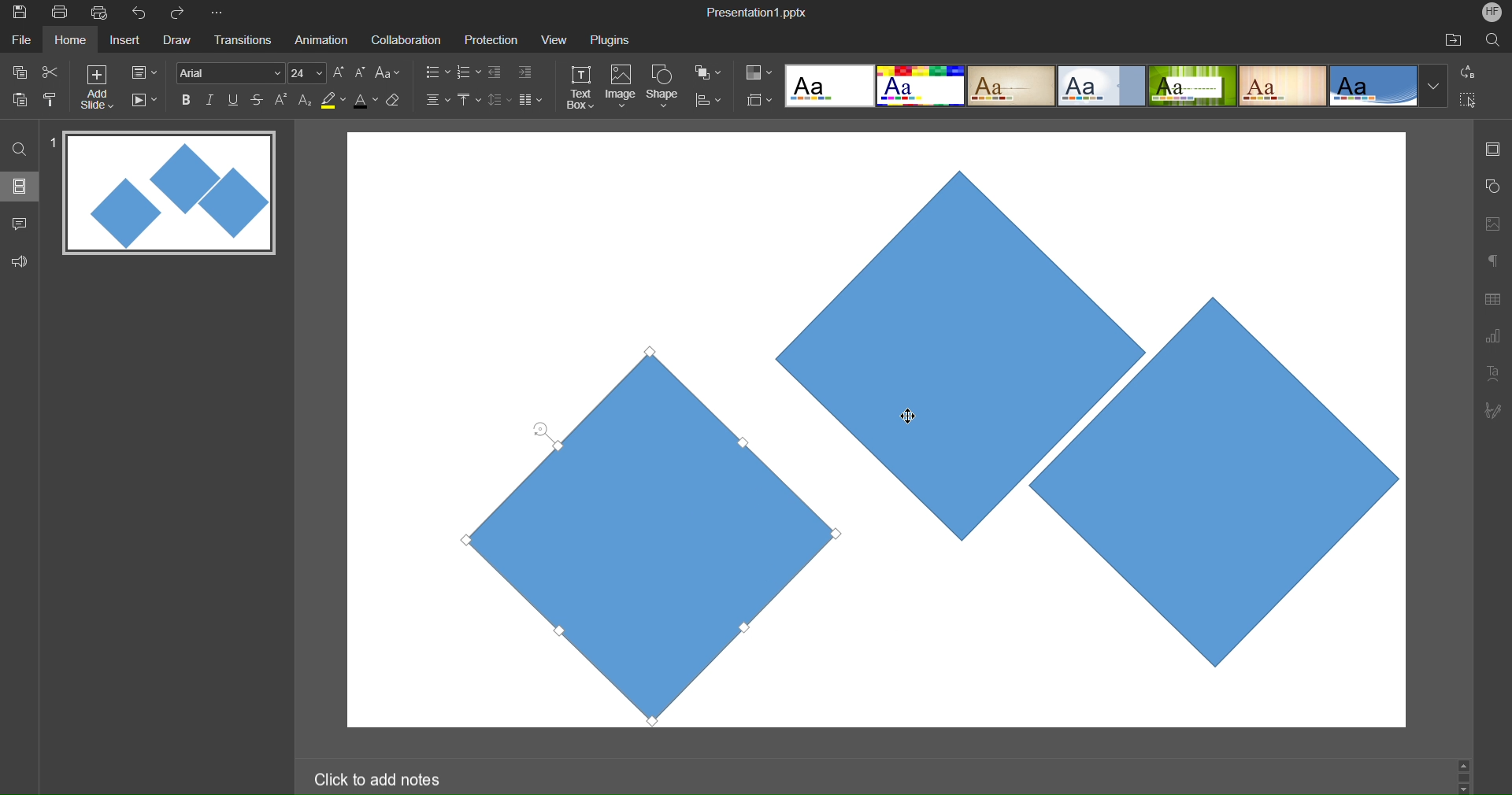 This screenshot has width=1512, height=795. Describe the element at coordinates (307, 73) in the screenshot. I see `Font Size` at that location.